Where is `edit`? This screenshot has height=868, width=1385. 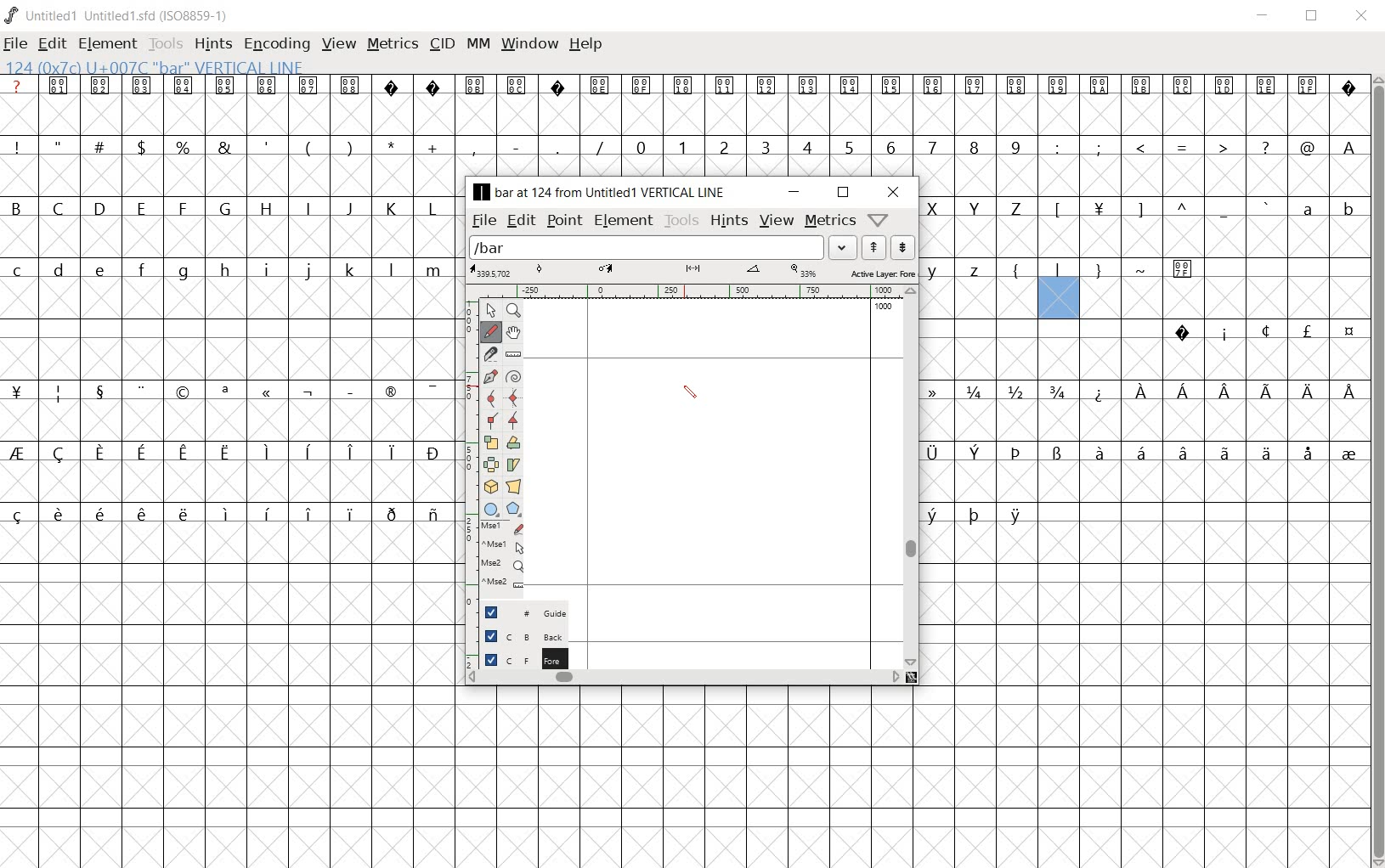 edit is located at coordinates (51, 43).